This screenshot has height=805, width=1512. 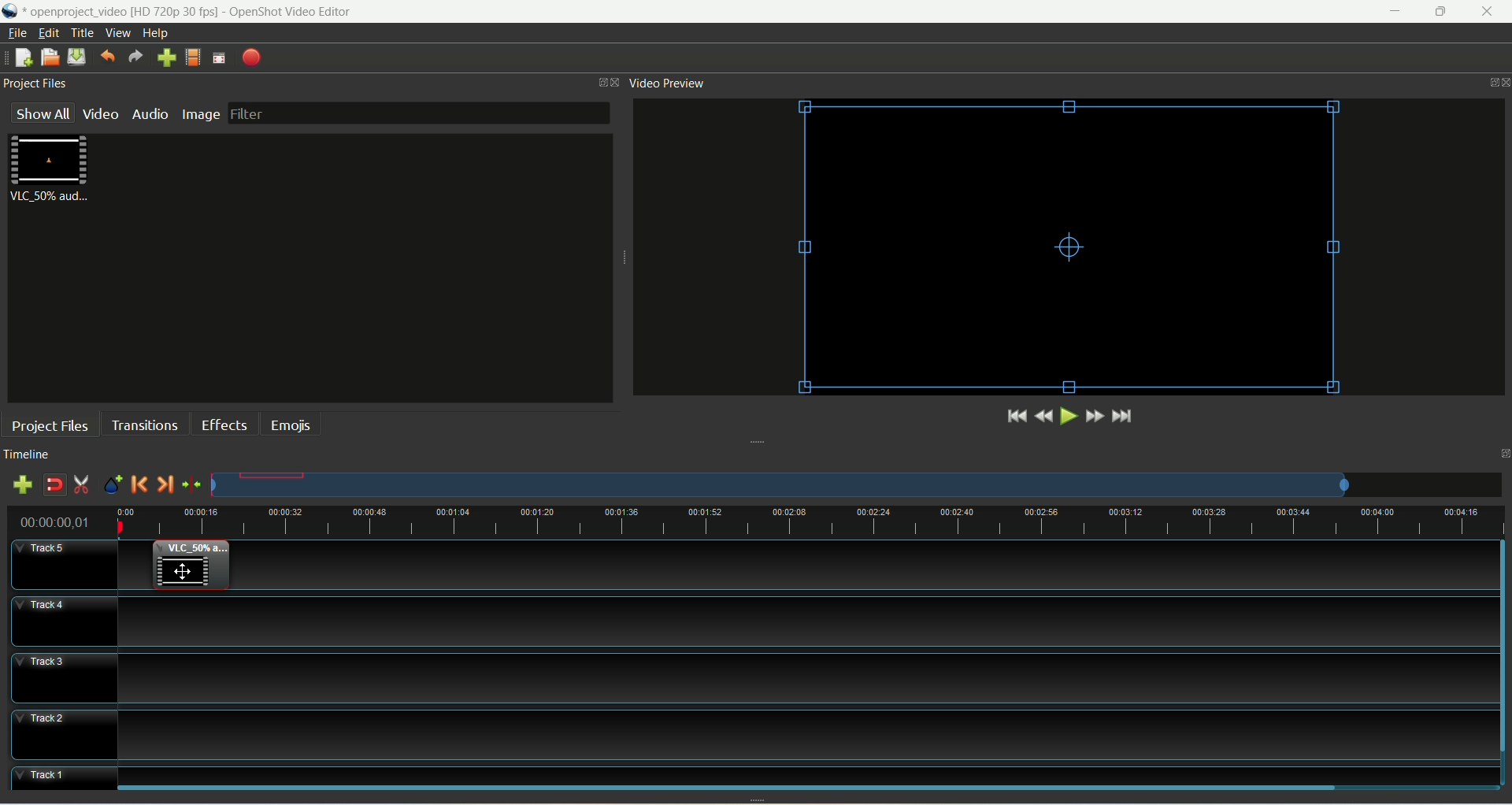 I want to click on jump to end, so click(x=1124, y=417).